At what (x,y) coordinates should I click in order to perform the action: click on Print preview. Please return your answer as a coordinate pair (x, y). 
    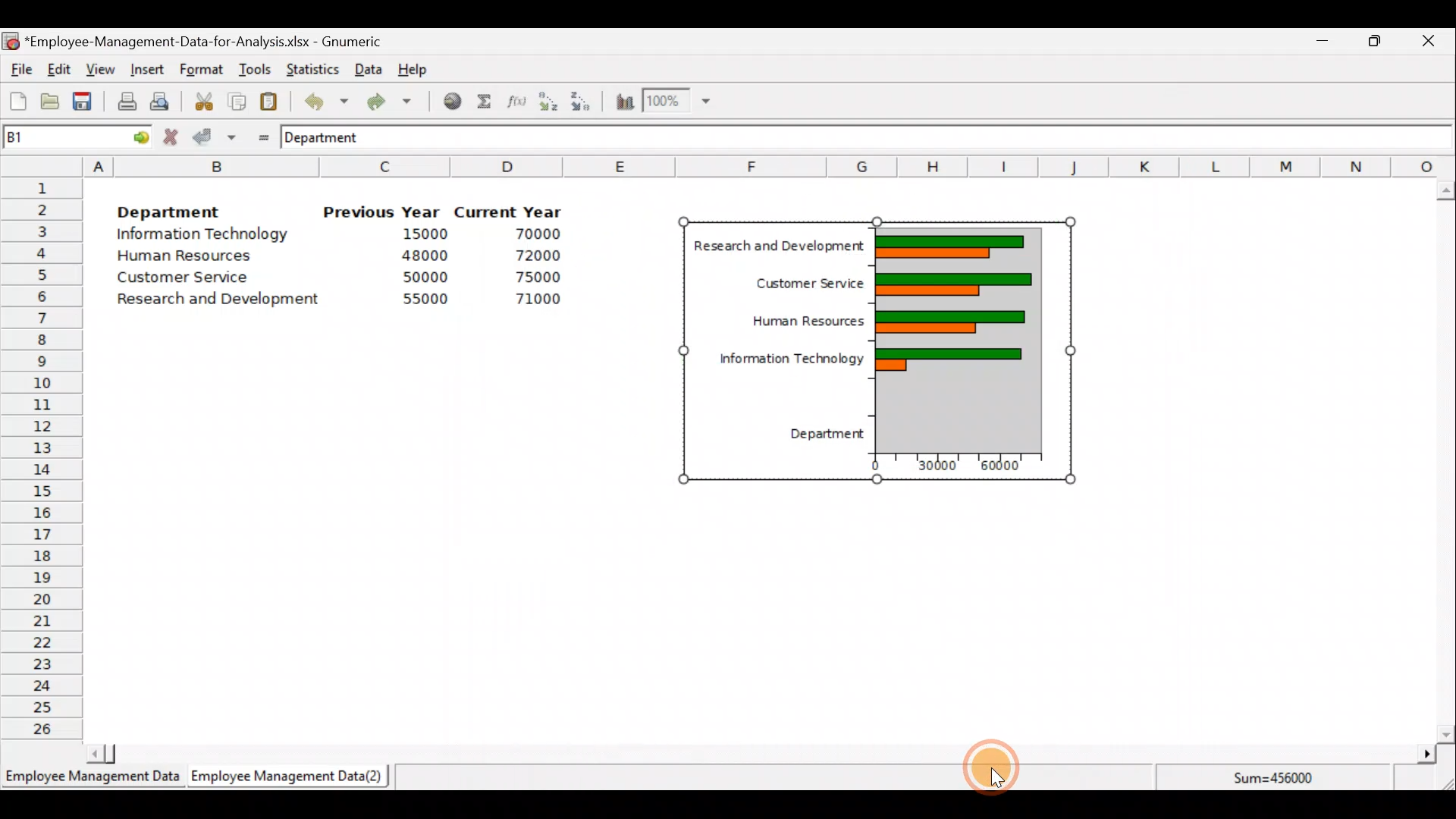
    Looking at the image, I should click on (159, 99).